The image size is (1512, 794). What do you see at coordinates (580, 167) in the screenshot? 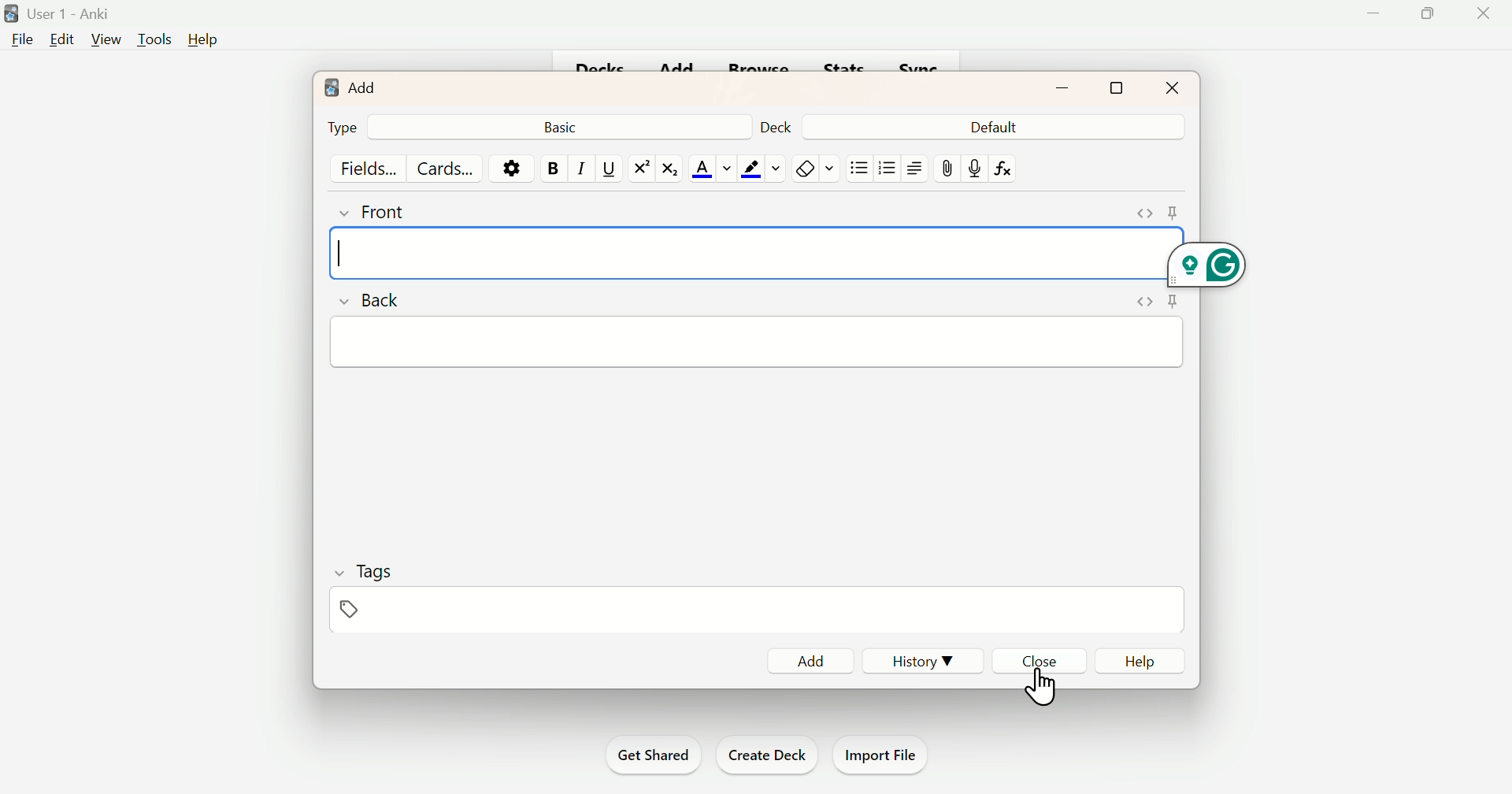
I see `Italiac` at bounding box center [580, 167].